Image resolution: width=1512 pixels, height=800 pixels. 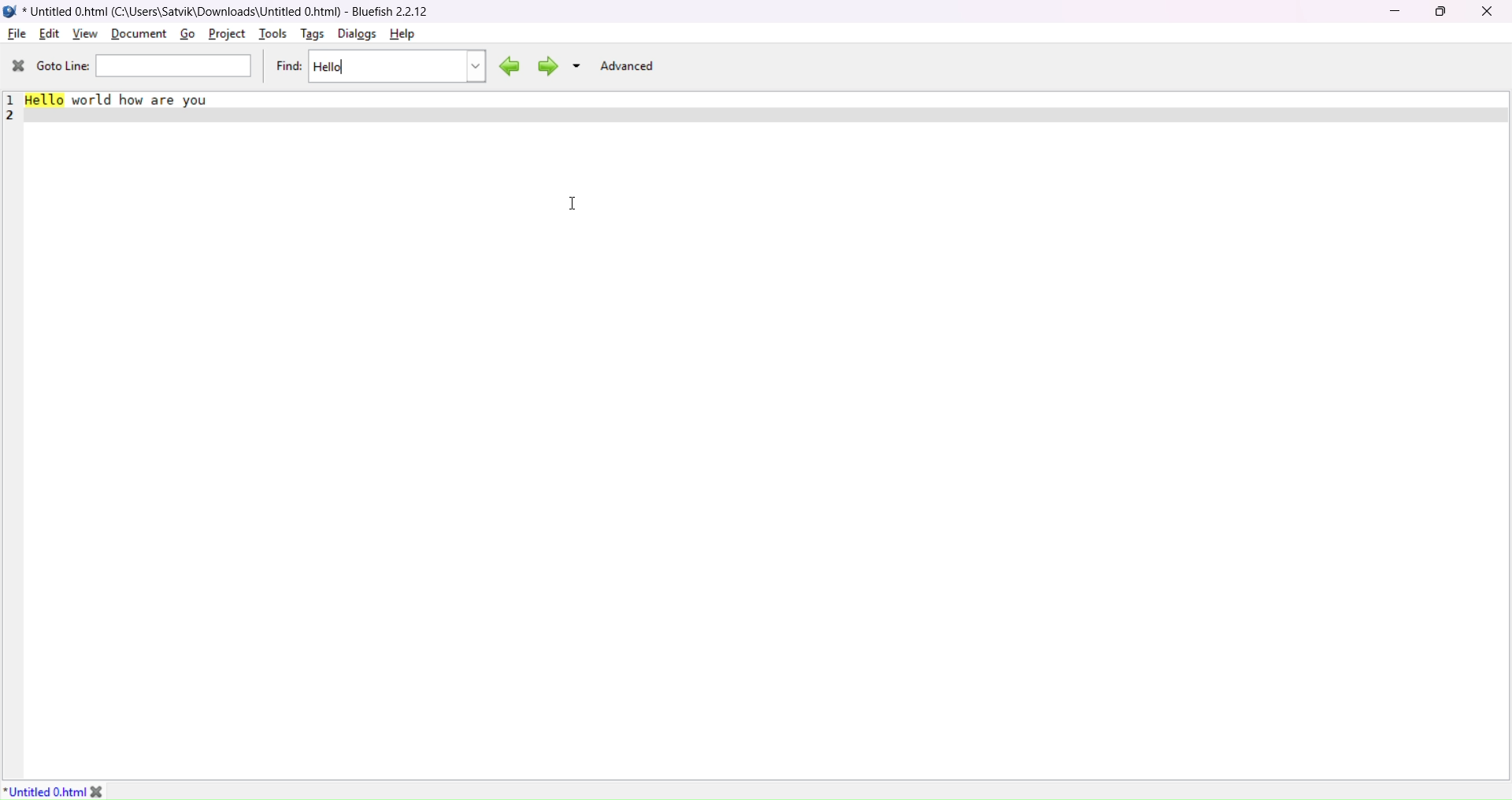 What do you see at coordinates (358, 34) in the screenshot?
I see `dialog` at bounding box center [358, 34].